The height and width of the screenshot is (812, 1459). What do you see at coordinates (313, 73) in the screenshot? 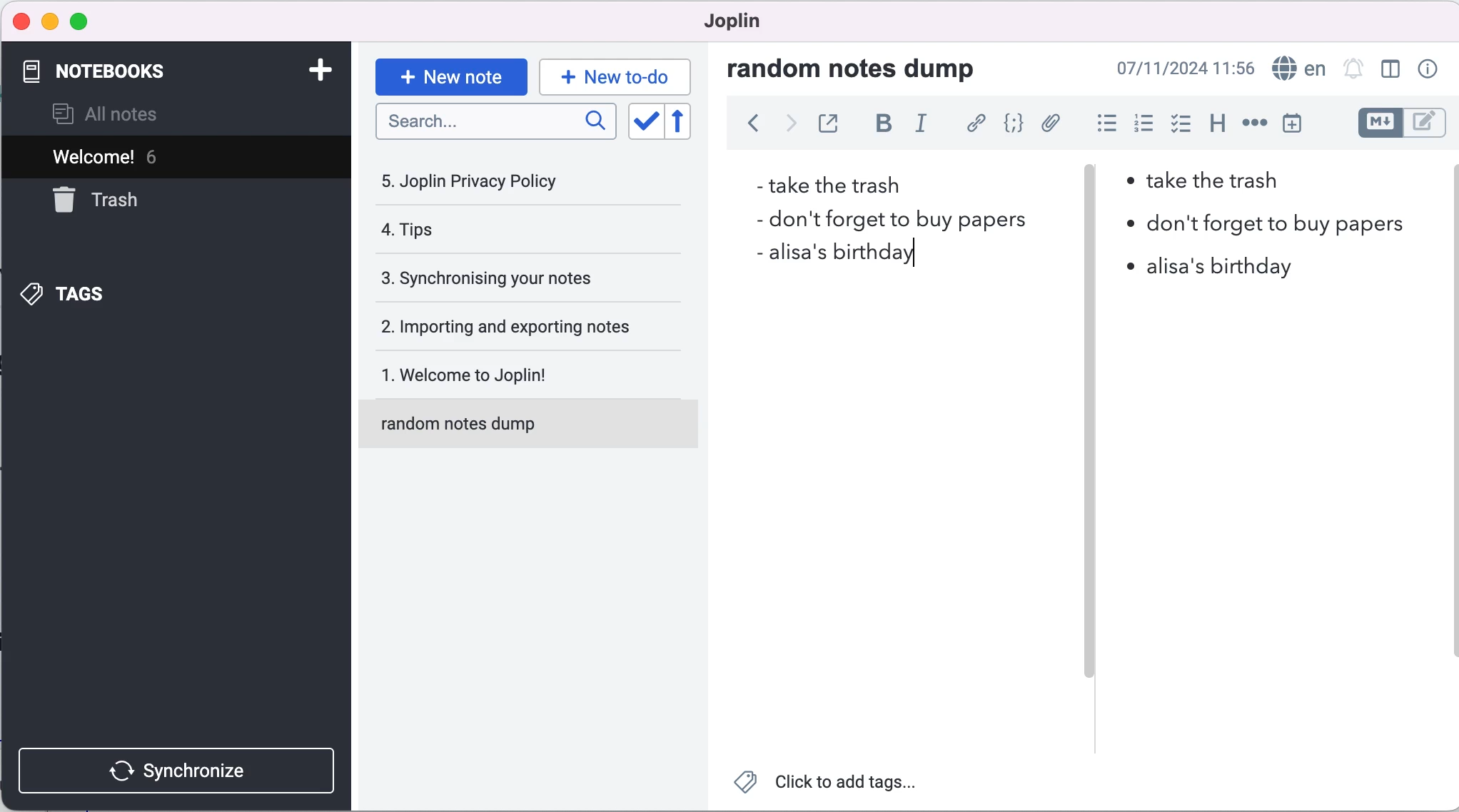
I see `add notebook` at bounding box center [313, 73].